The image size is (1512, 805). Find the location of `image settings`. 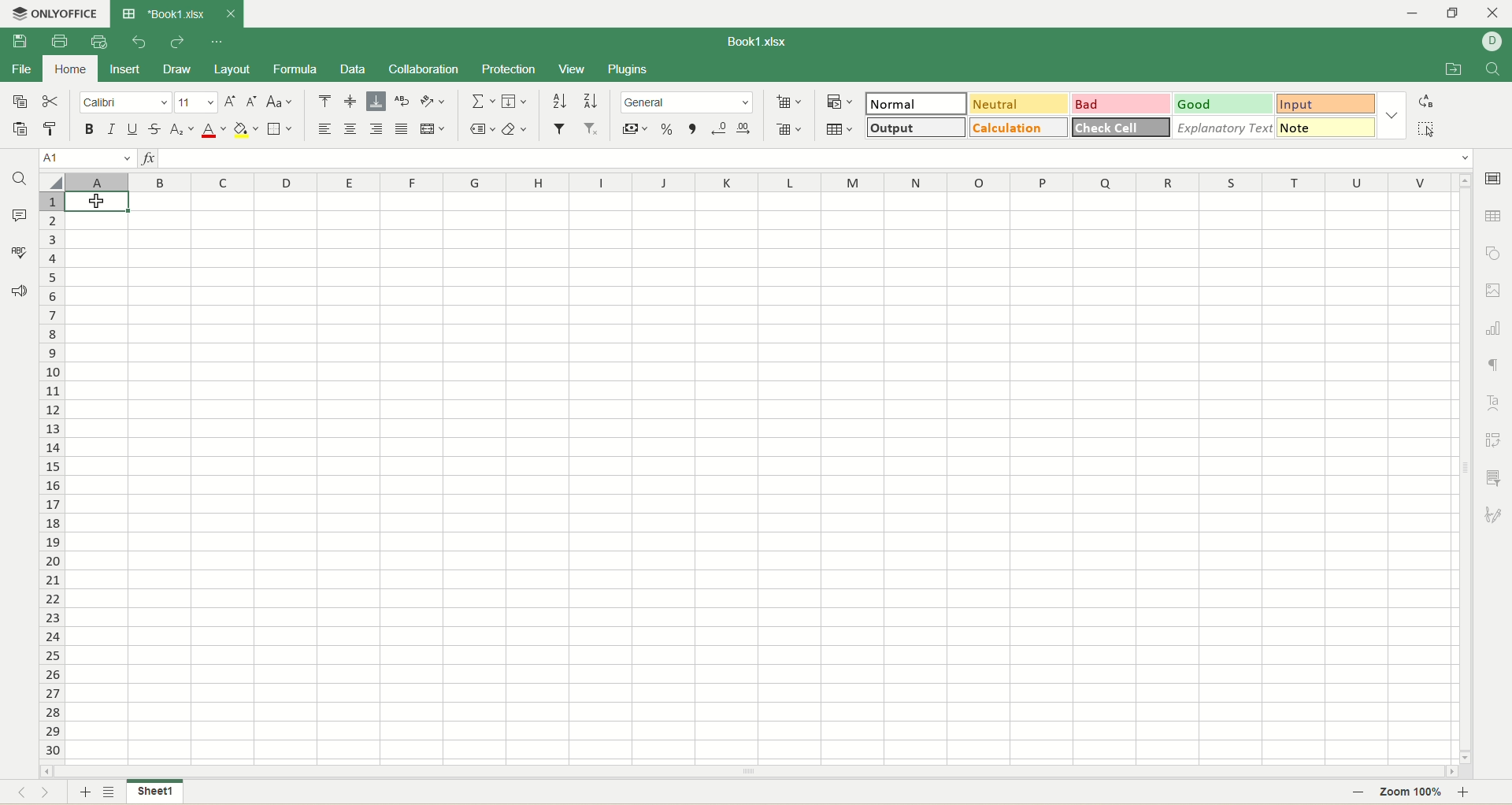

image settings is located at coordinates (1495, 290).